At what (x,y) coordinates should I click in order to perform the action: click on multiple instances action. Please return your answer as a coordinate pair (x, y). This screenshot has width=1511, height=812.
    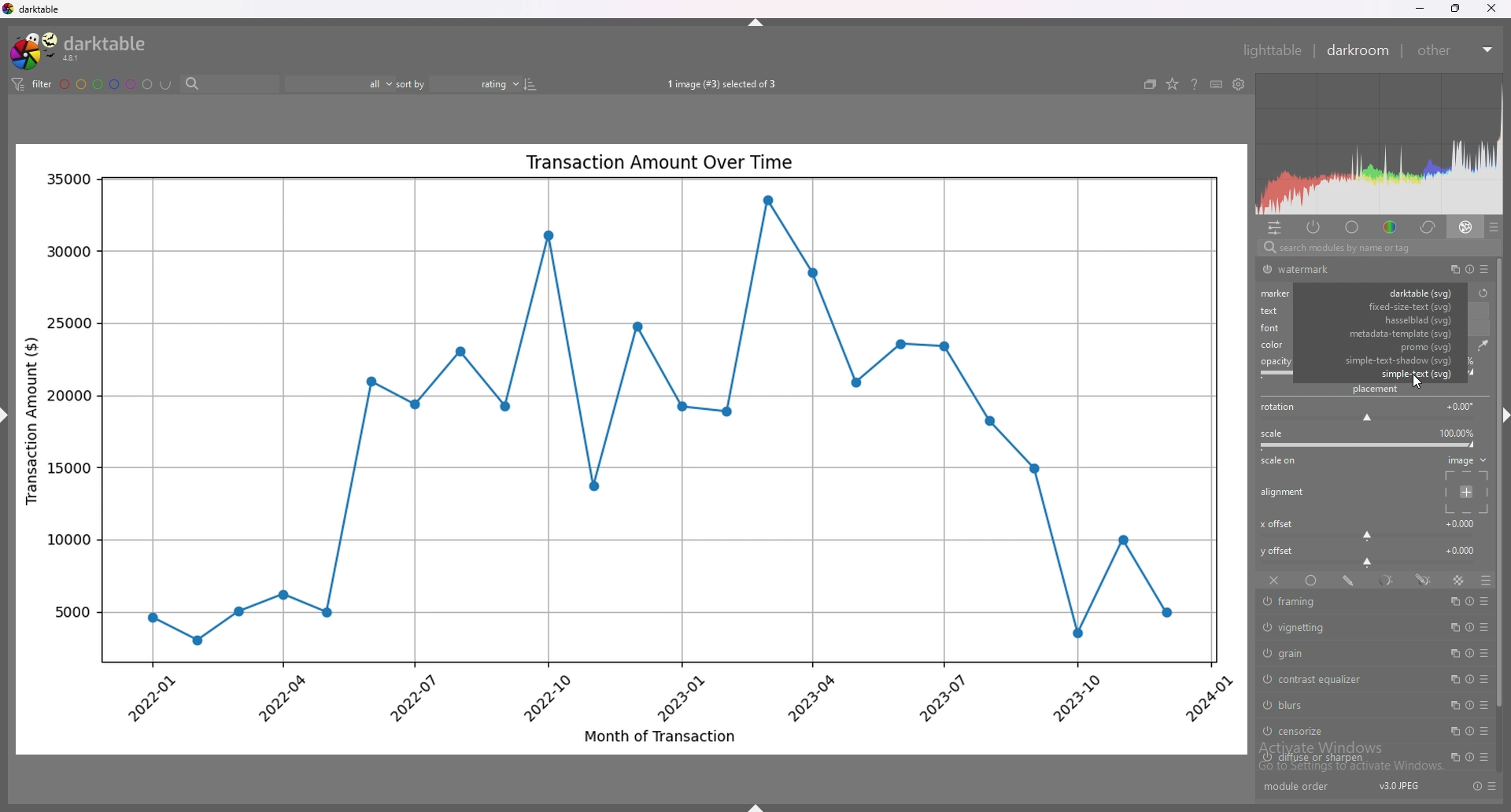
    Looking at the image, I should click on (1450, 269).